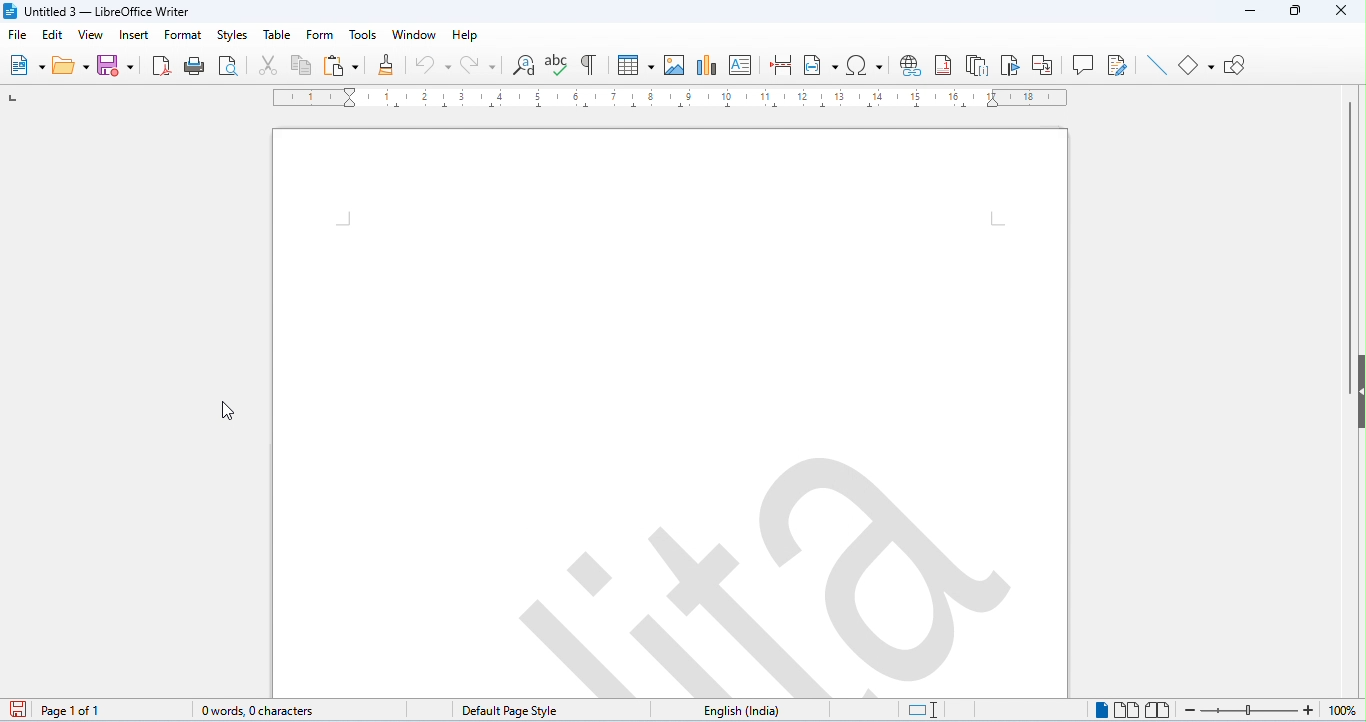 The height and width of the screenshot is (722, 1366). I want to click on standard selection, so click(924, 711).